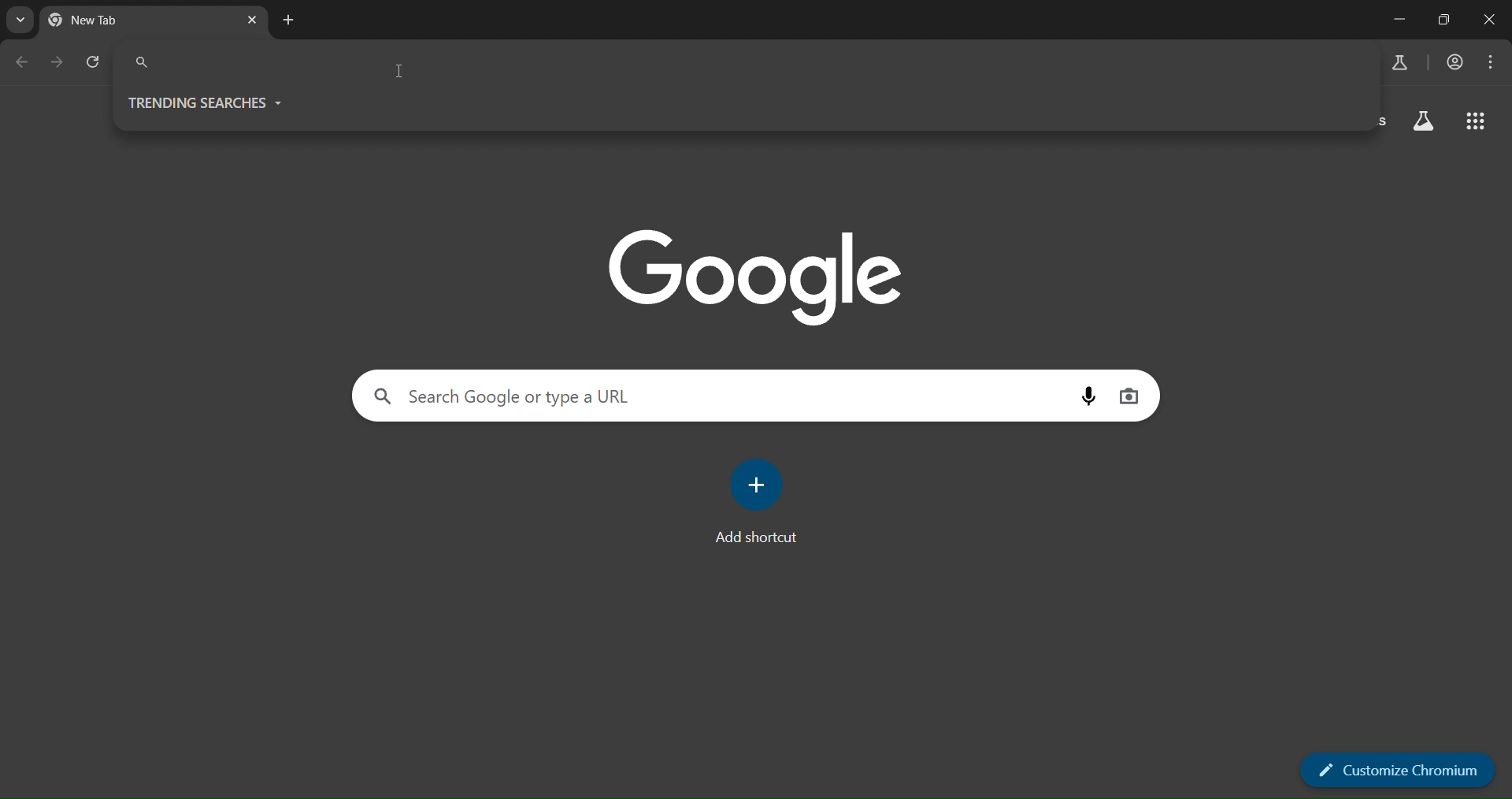 This screenshot has width=1512, height=799. I want to click on image search, so click(1132, 395).